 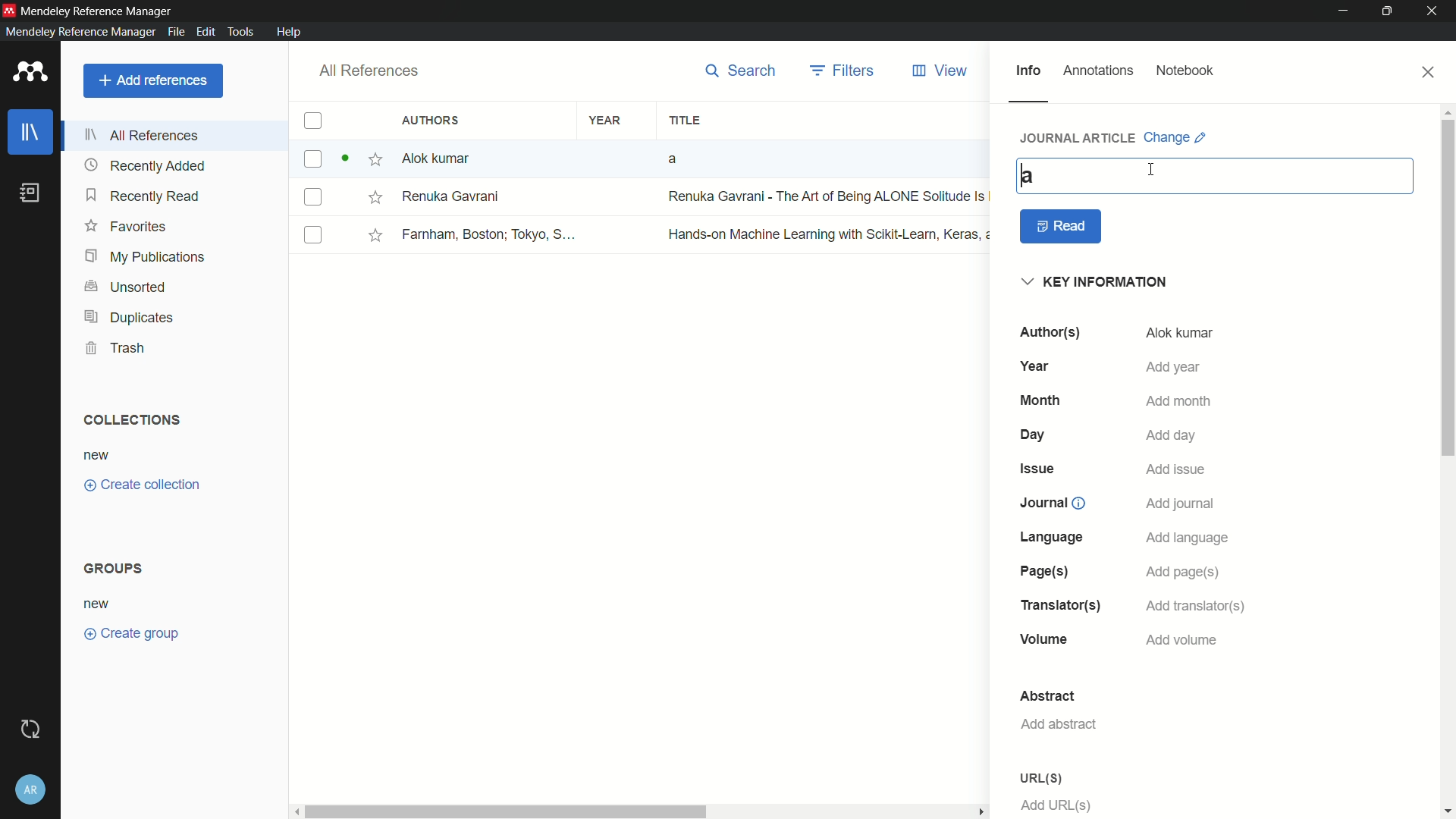 What do you see at coordinates (644, 197) in the screenshot?
I see `book-2` at bounding box center [644, 197].